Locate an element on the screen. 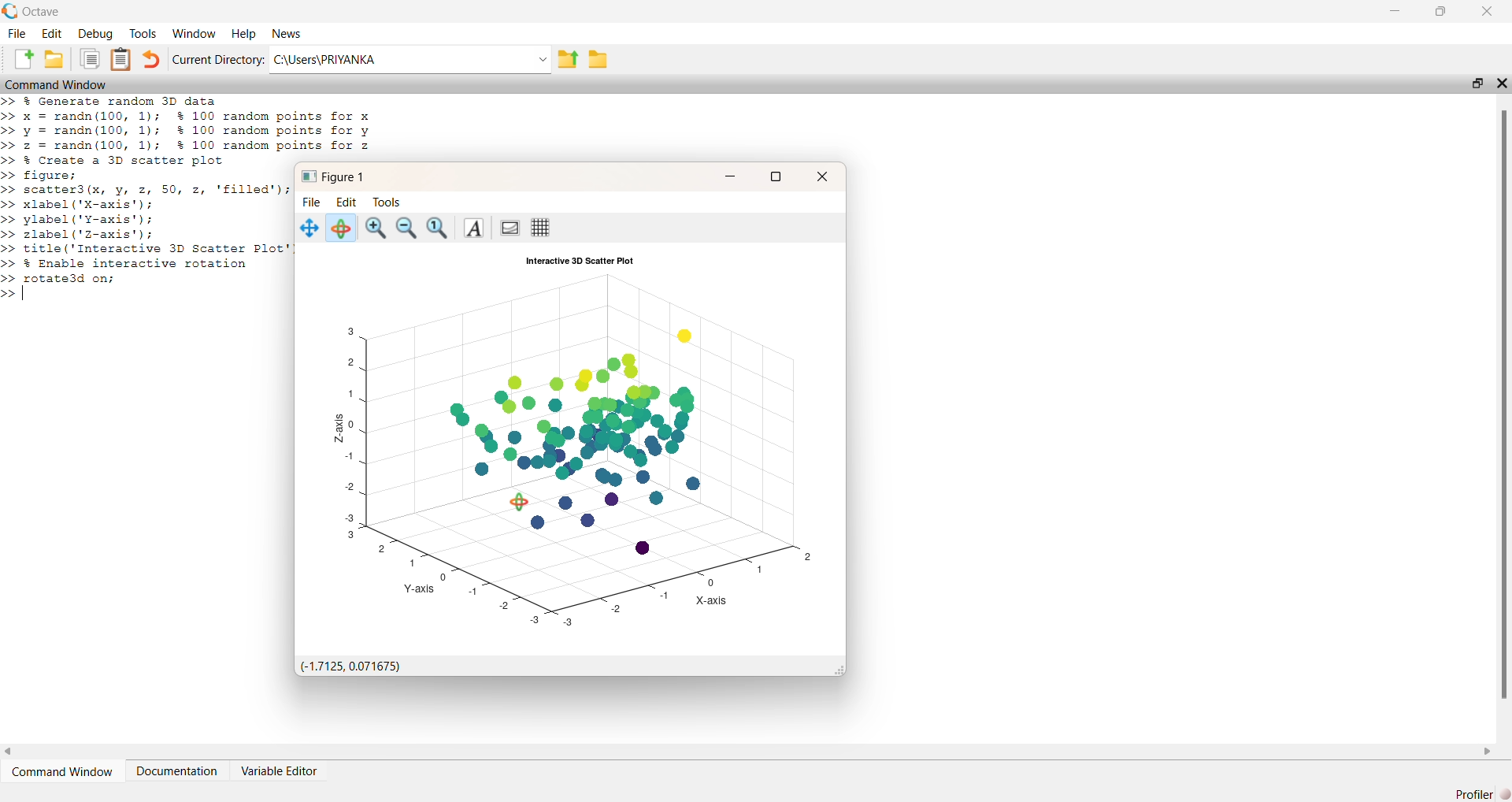 This screenshot has width=1512, height=802. >> % Generate random 3D data is located at coordinates (112, 101).